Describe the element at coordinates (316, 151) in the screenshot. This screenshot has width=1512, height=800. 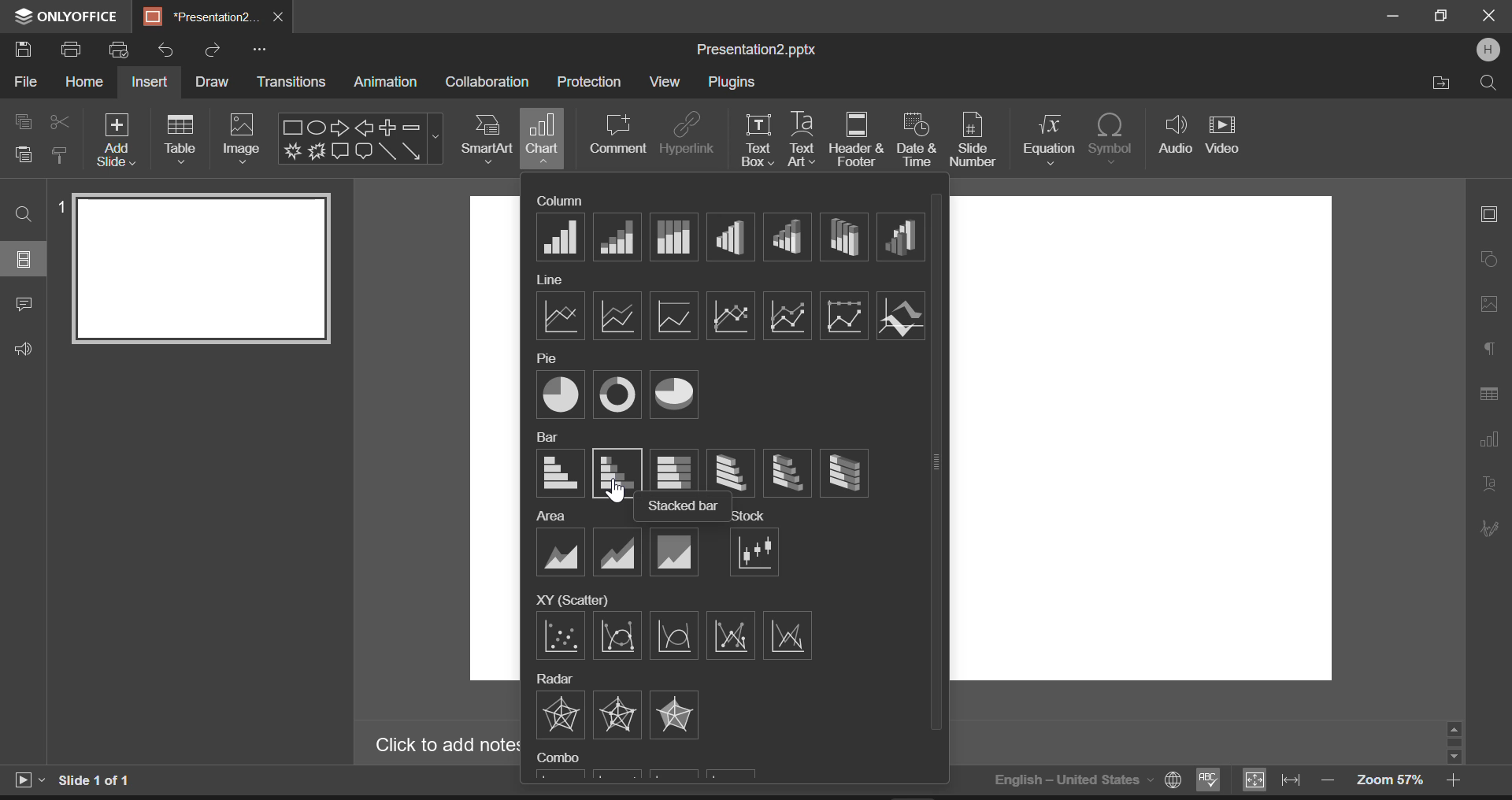
I see `Explosion 2` at that location.